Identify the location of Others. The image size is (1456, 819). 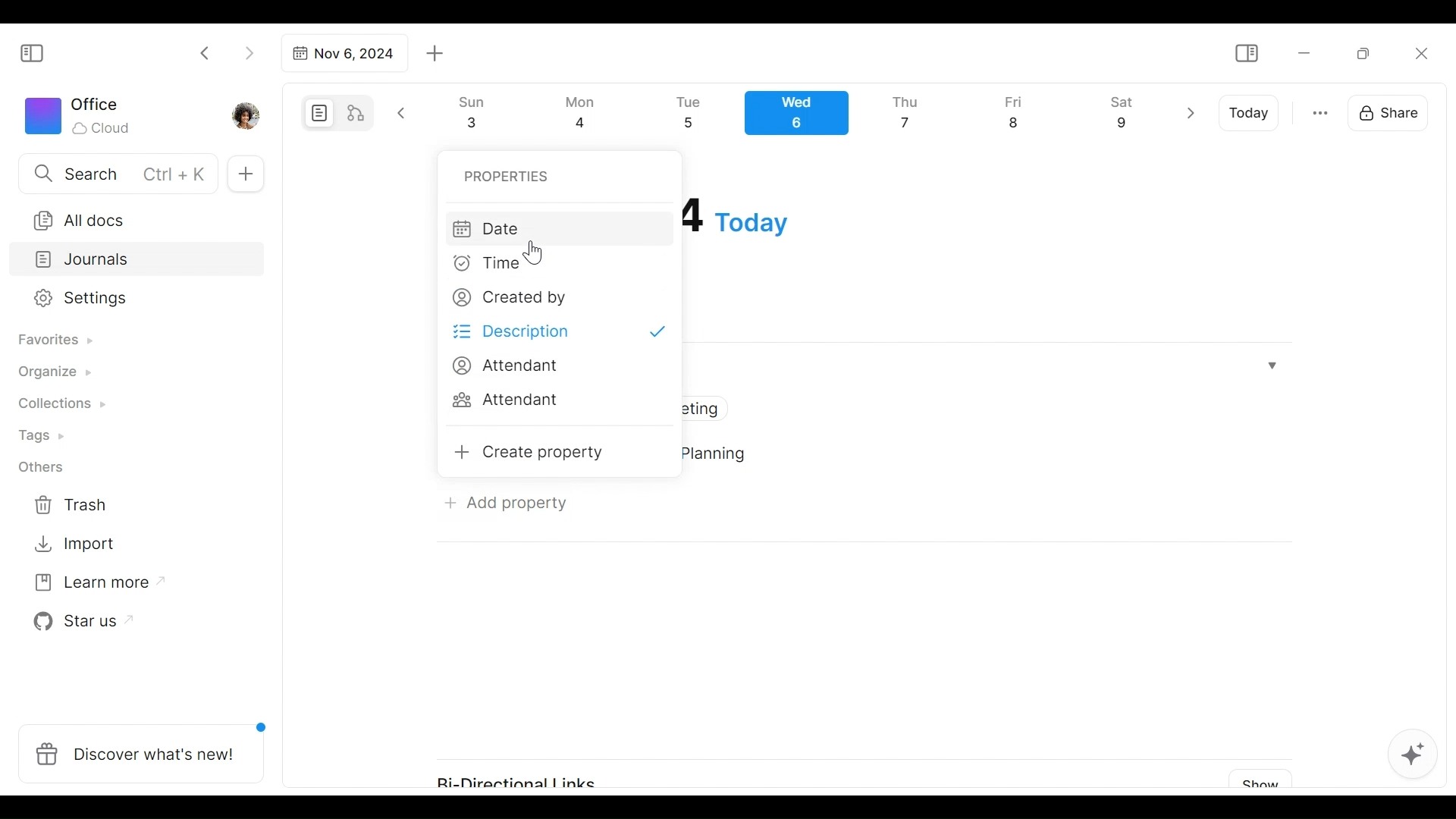
(42, 467).